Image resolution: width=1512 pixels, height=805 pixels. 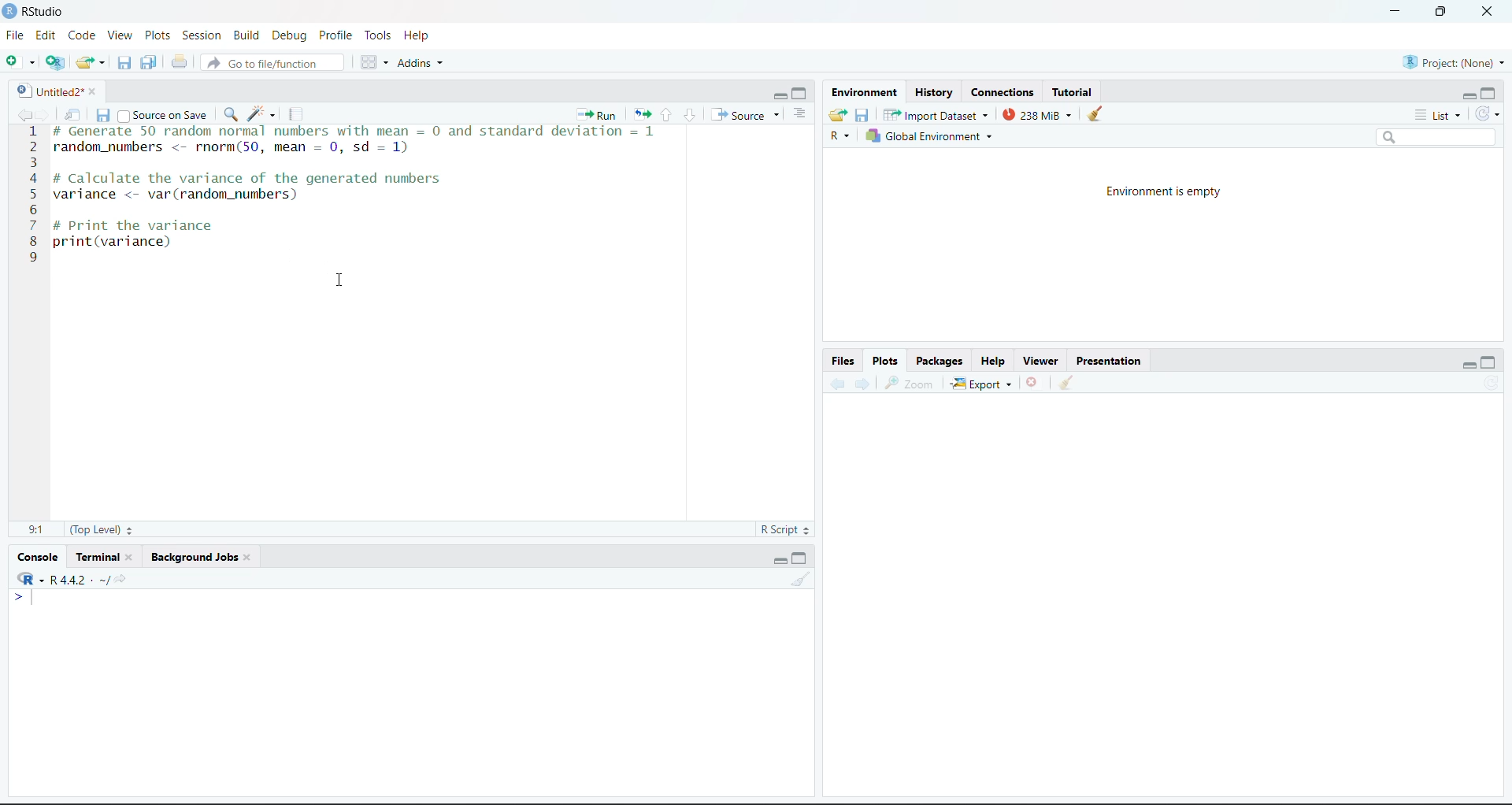 I want to click on back, so click(x=22, y=114).